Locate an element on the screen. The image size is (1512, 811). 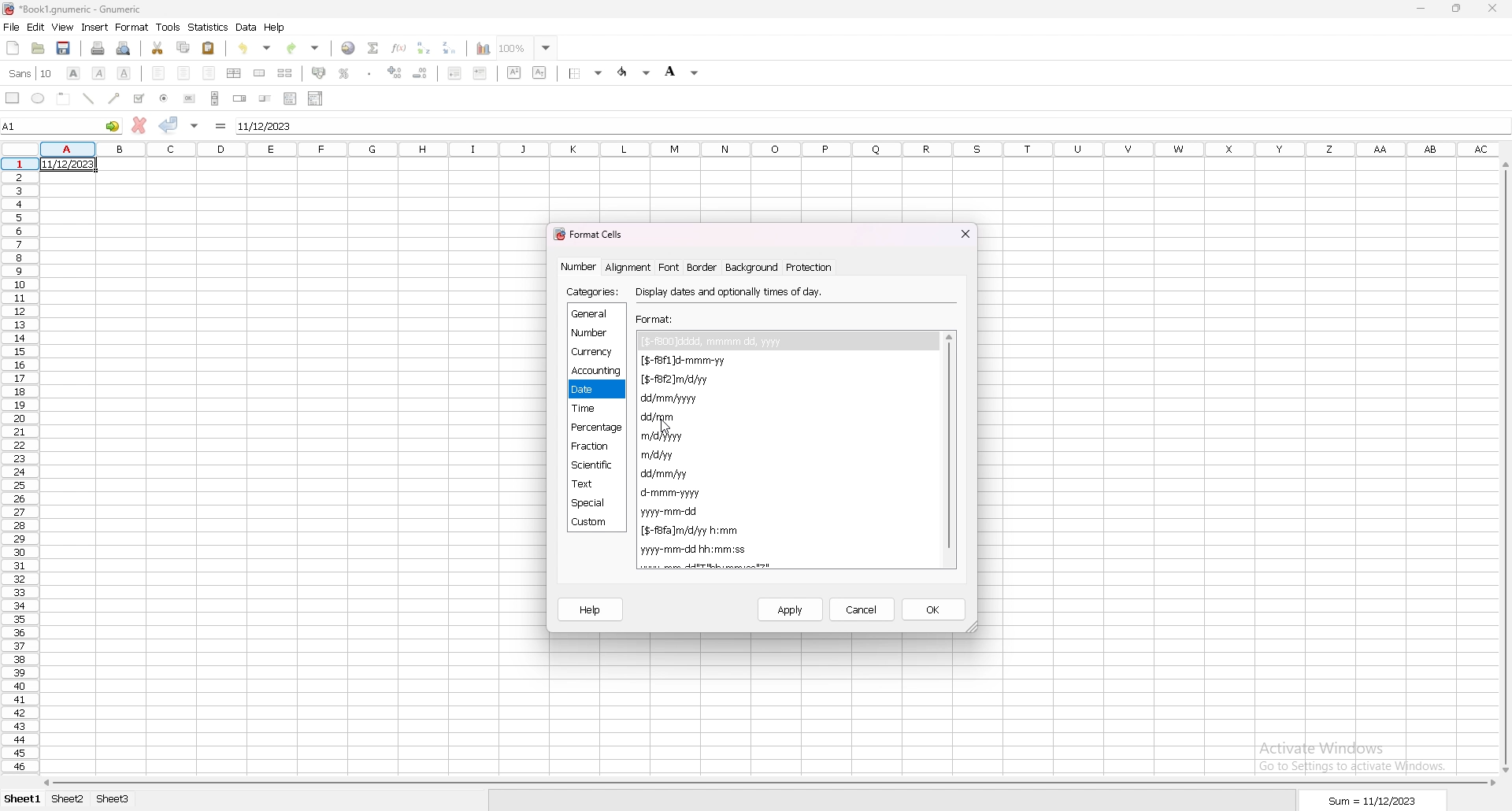
frame is located at coordinates (64, 98).